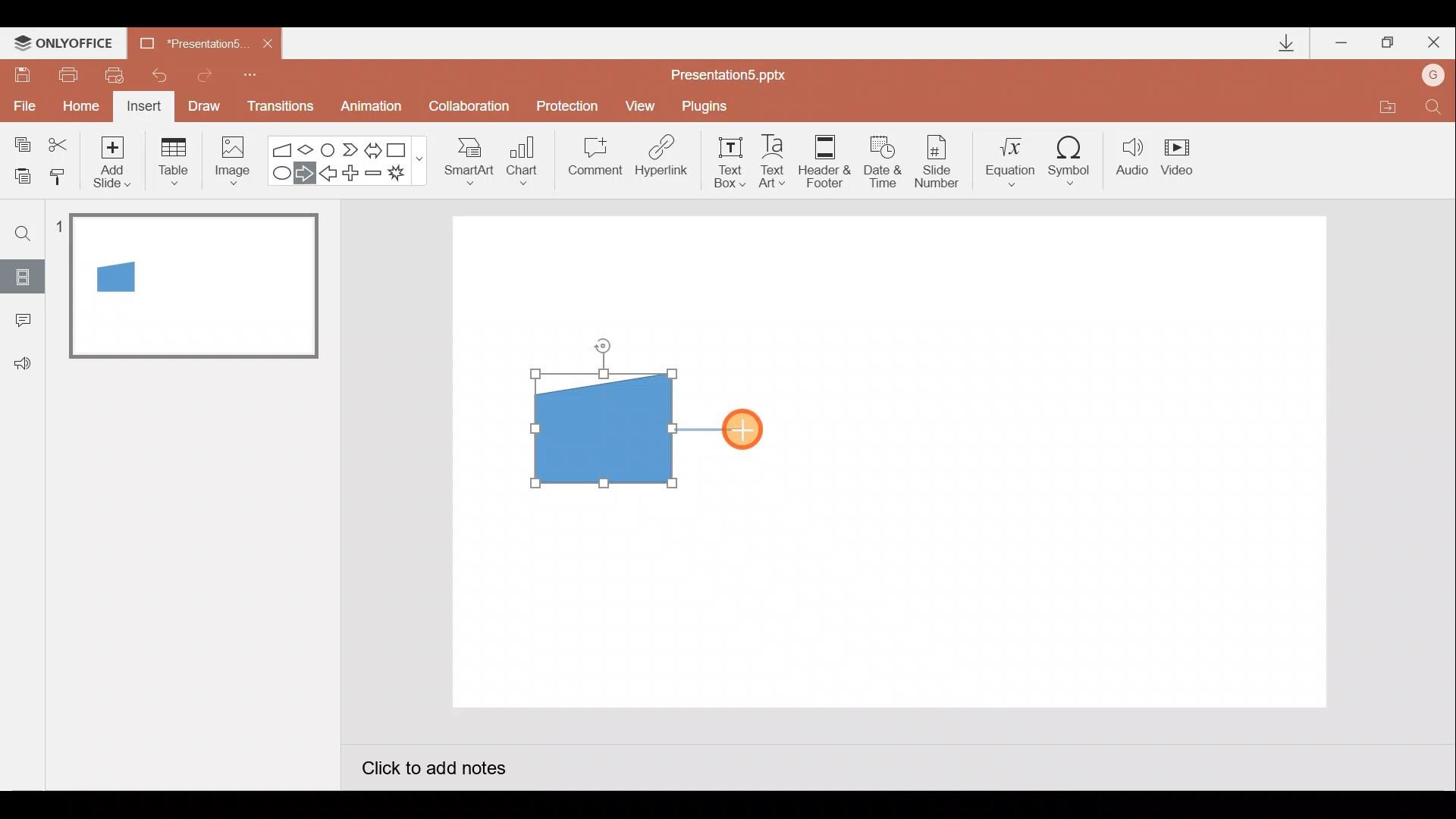 The width and height of the screenshot is (1456, 819). What do you see at coordinates (268, 44) in the screenshot?
I see `Close` at bounding box center [268, 44].